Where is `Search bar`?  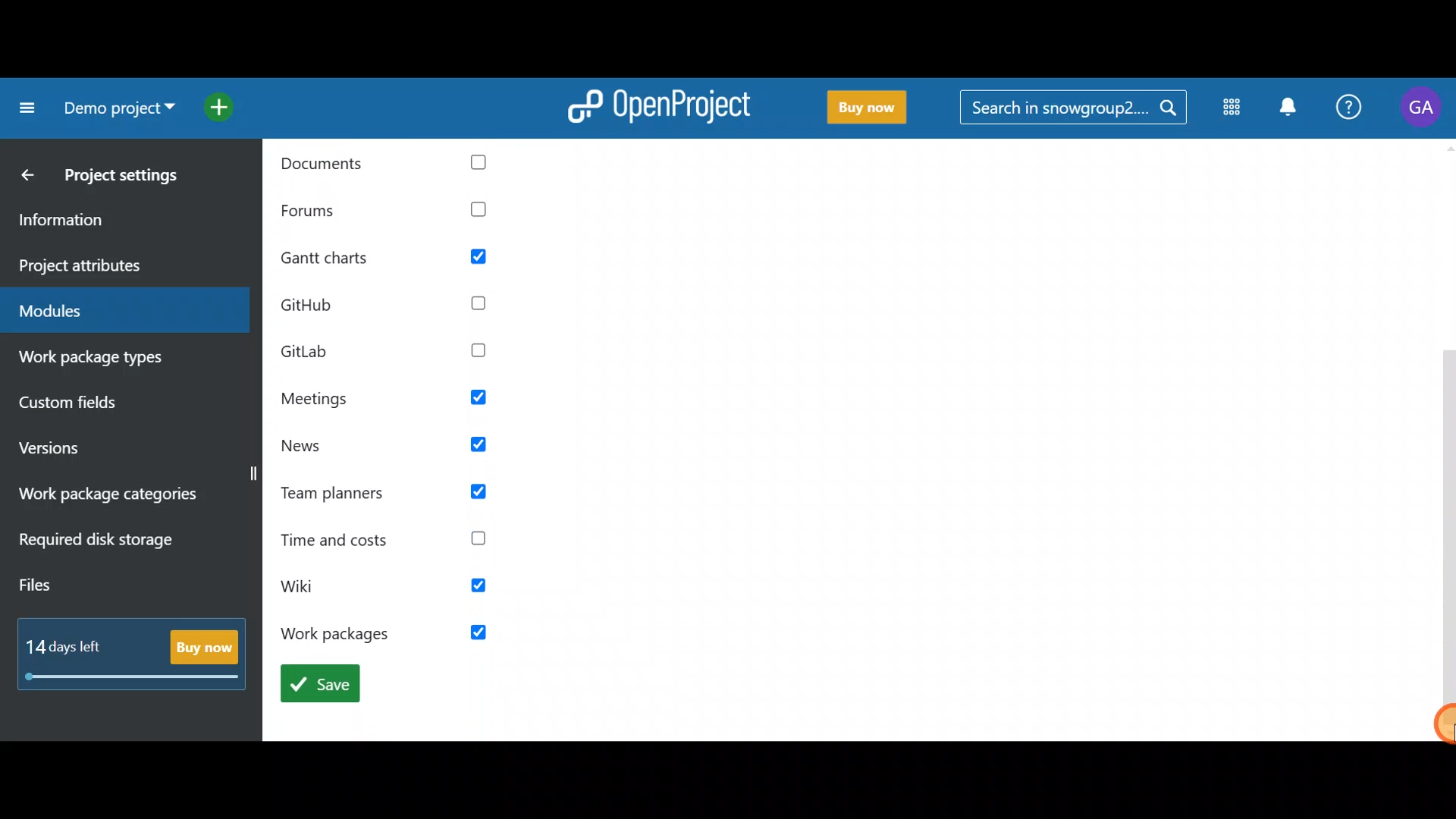 Search bar is located at coordinates (1072, 111).